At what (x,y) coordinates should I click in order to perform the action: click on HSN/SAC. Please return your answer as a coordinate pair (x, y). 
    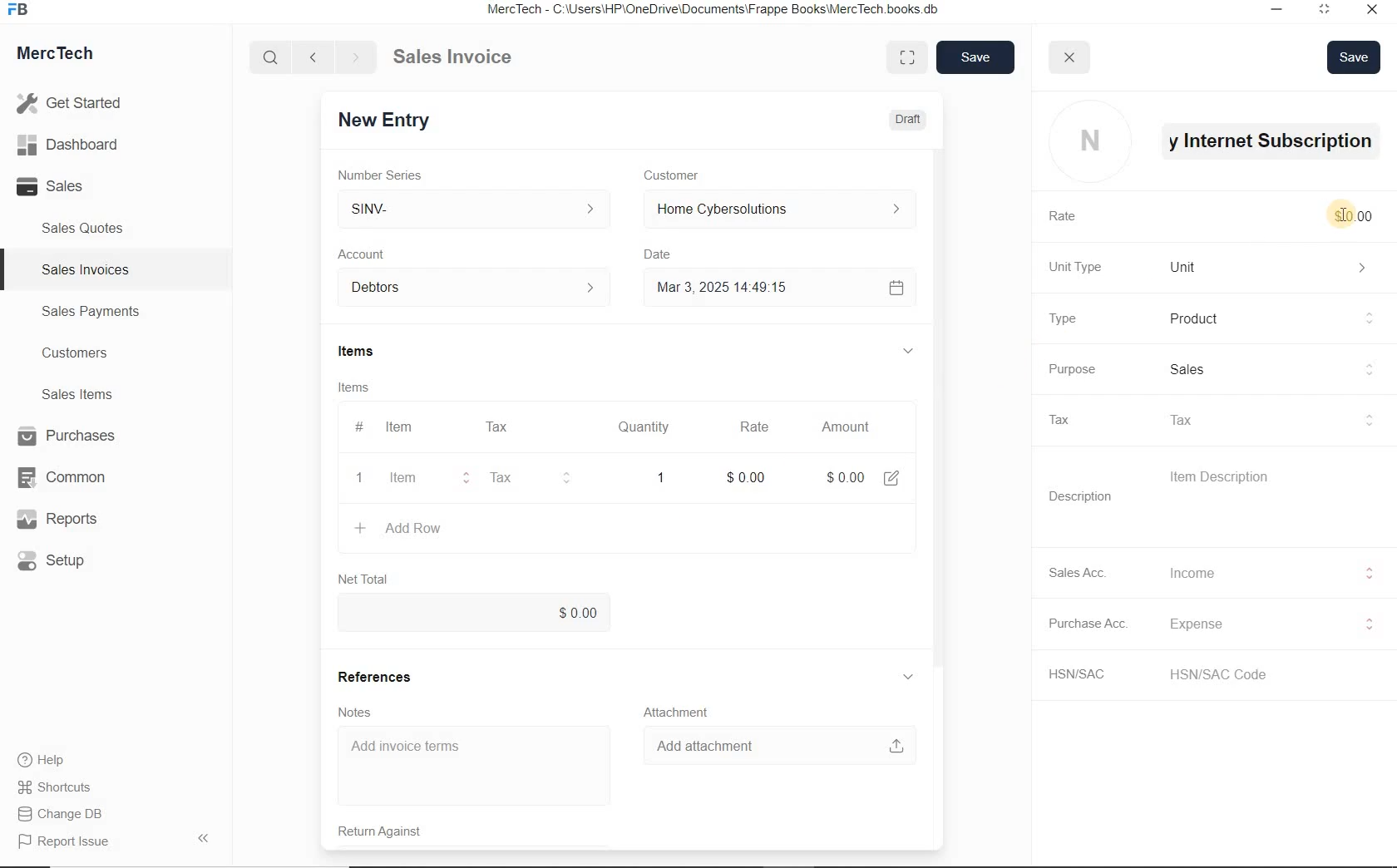
    Looking at the image, I should click on (1086, 674).